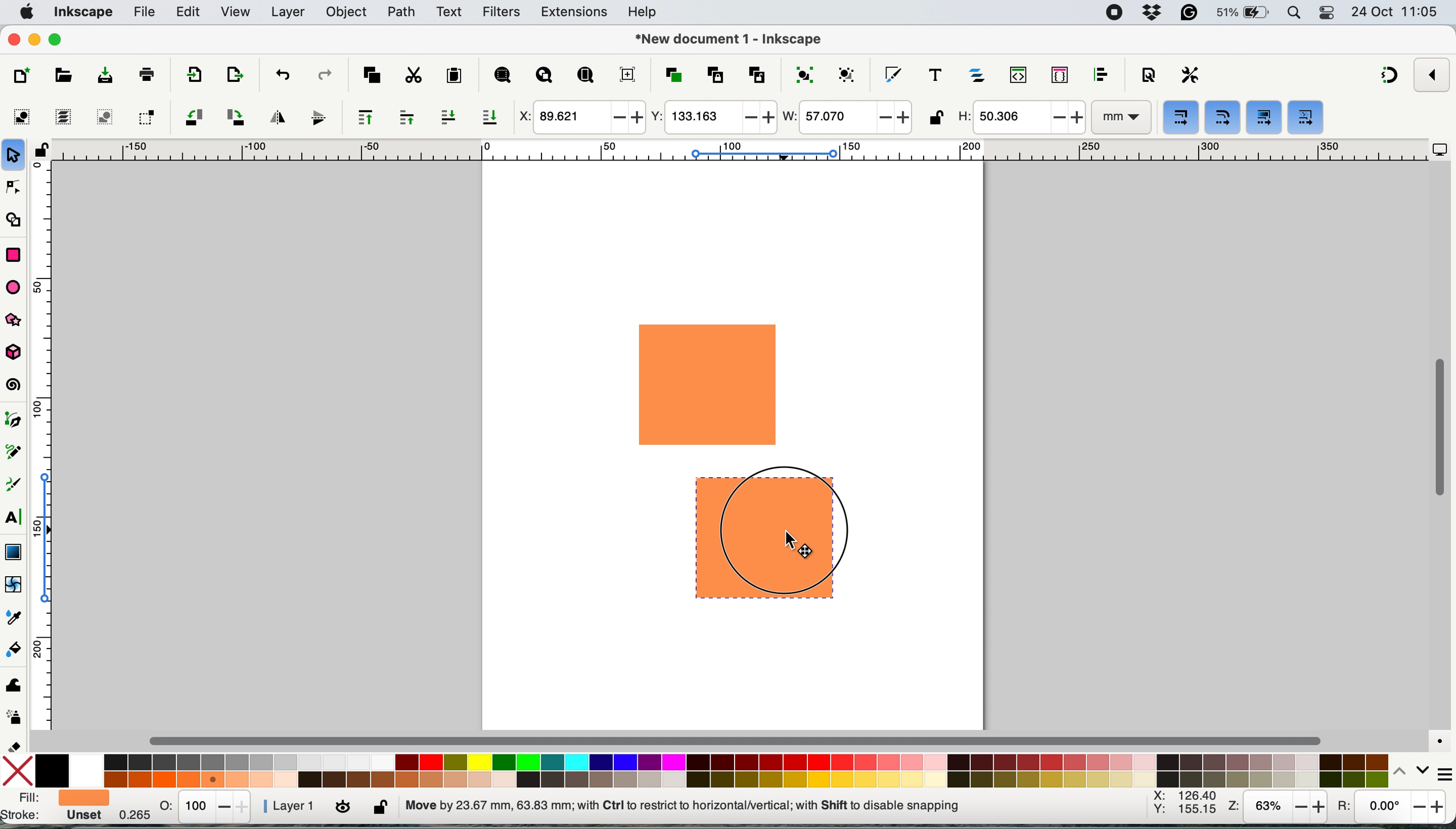 This screenshot has height=829, width=1456. What do you see at coordinates (234, 75) in the screenshot?
I see `open import` at bounding box center [234, 75].